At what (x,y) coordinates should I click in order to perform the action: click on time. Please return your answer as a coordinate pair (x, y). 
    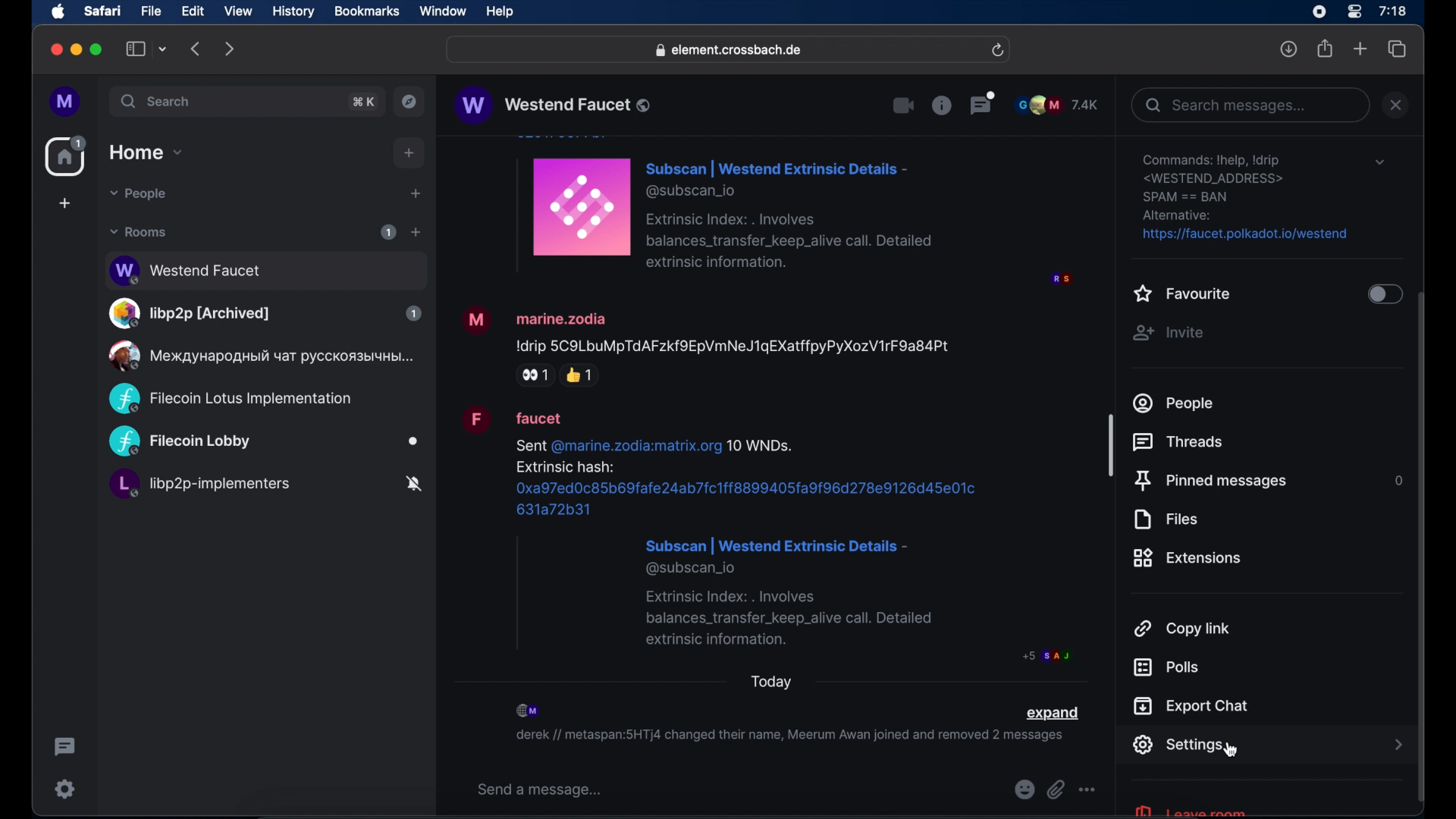
    Looking at the image, I should click on (1392, 11).